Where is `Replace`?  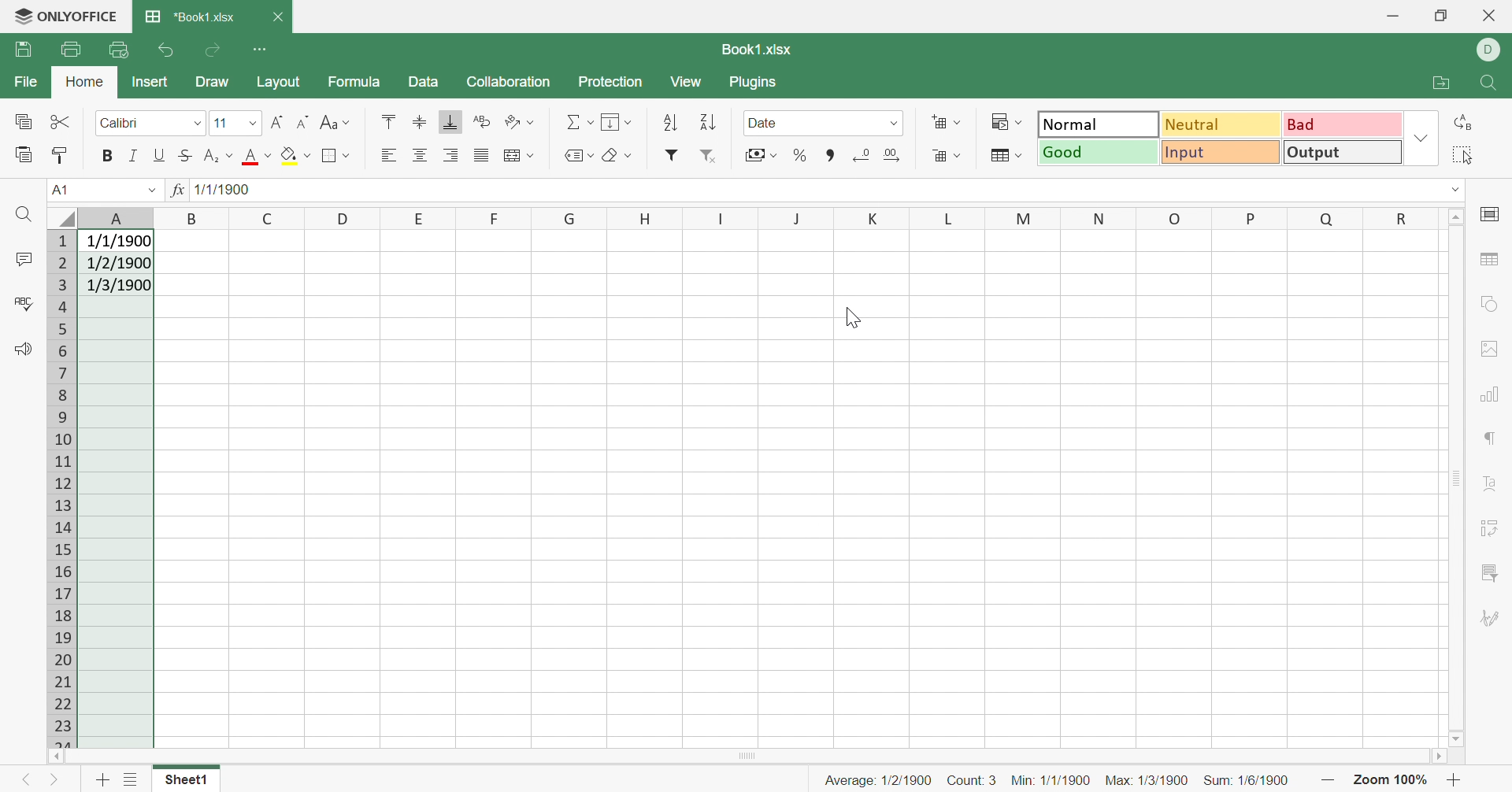
Replace is located at coordinates (1461, 123).